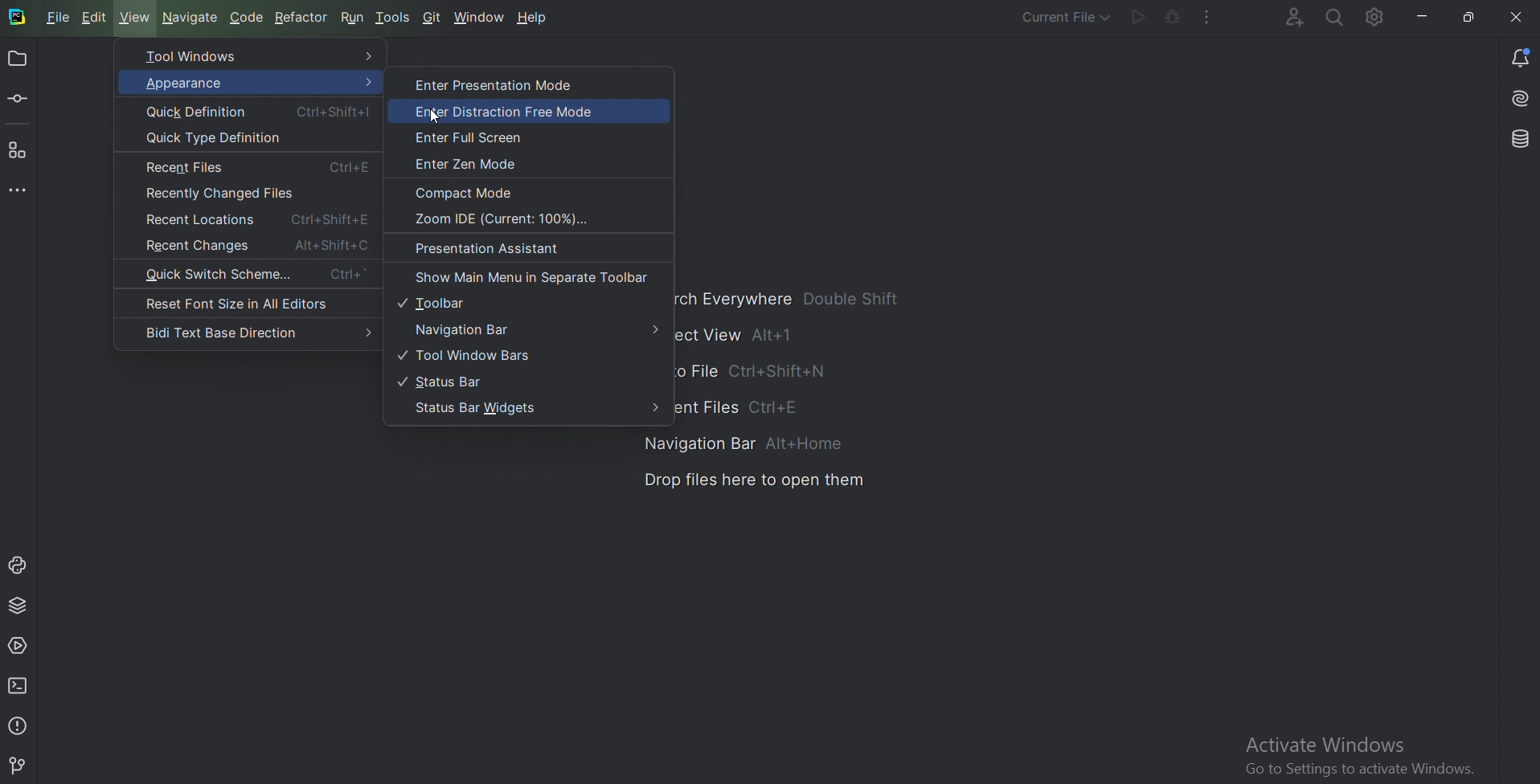 The width and height of the screenshot is (1540, 784). I want to click on Project, so click(18, 60).